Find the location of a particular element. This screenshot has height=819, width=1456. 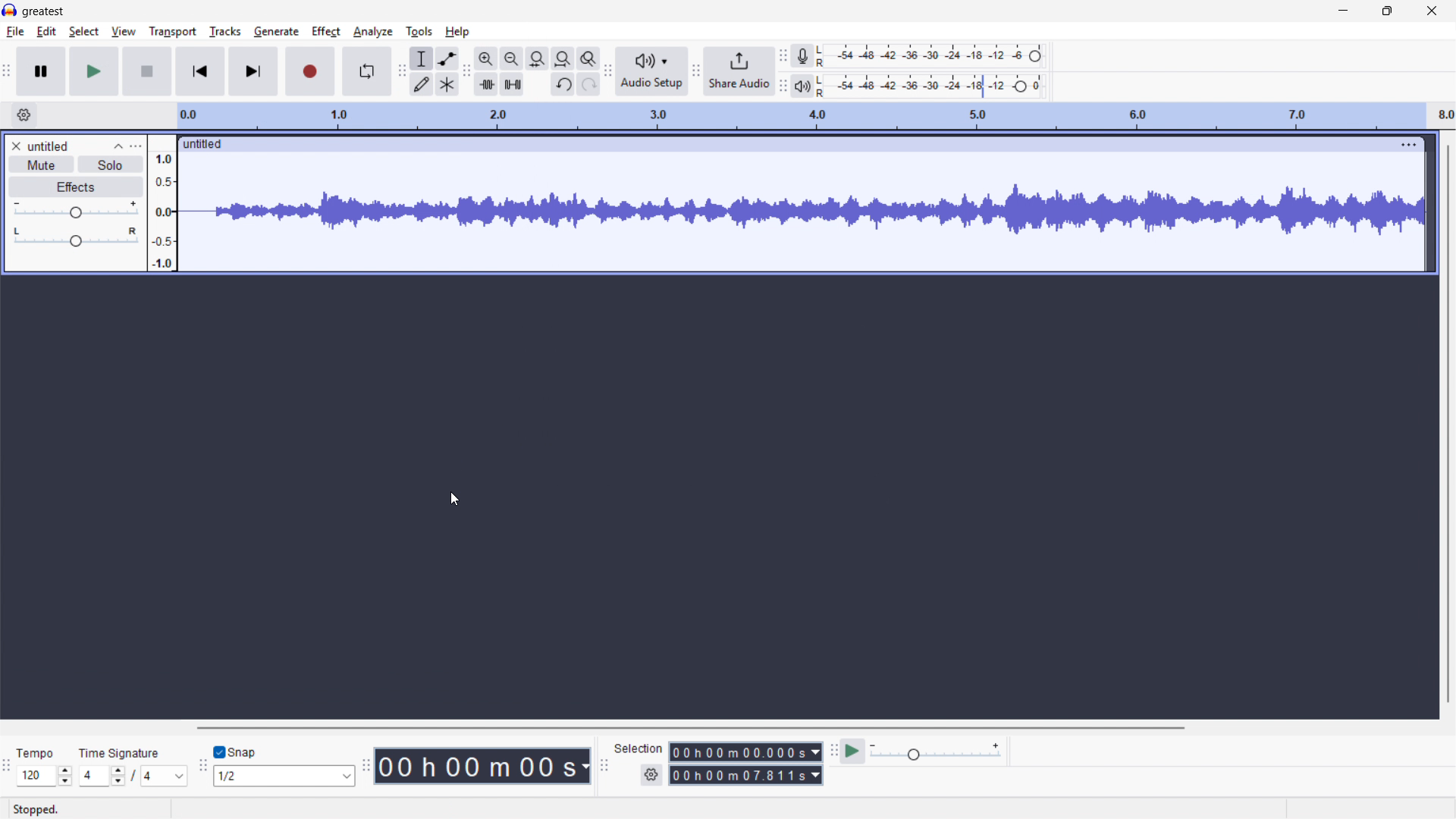

cursor is located at coordinates (453, 500).